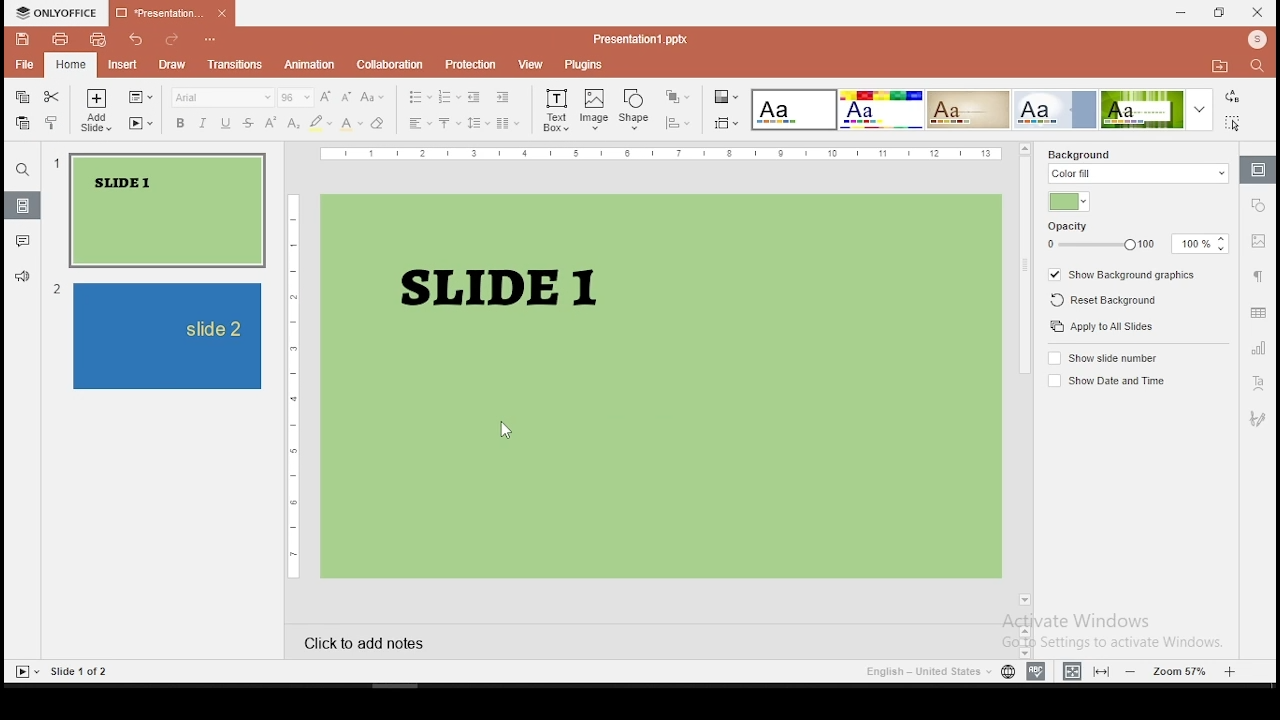 This screenshot has height=720, width=1280. Describe the element at coordinates (450, 123) in the screenshot. I see `vertical alignment` at that location.